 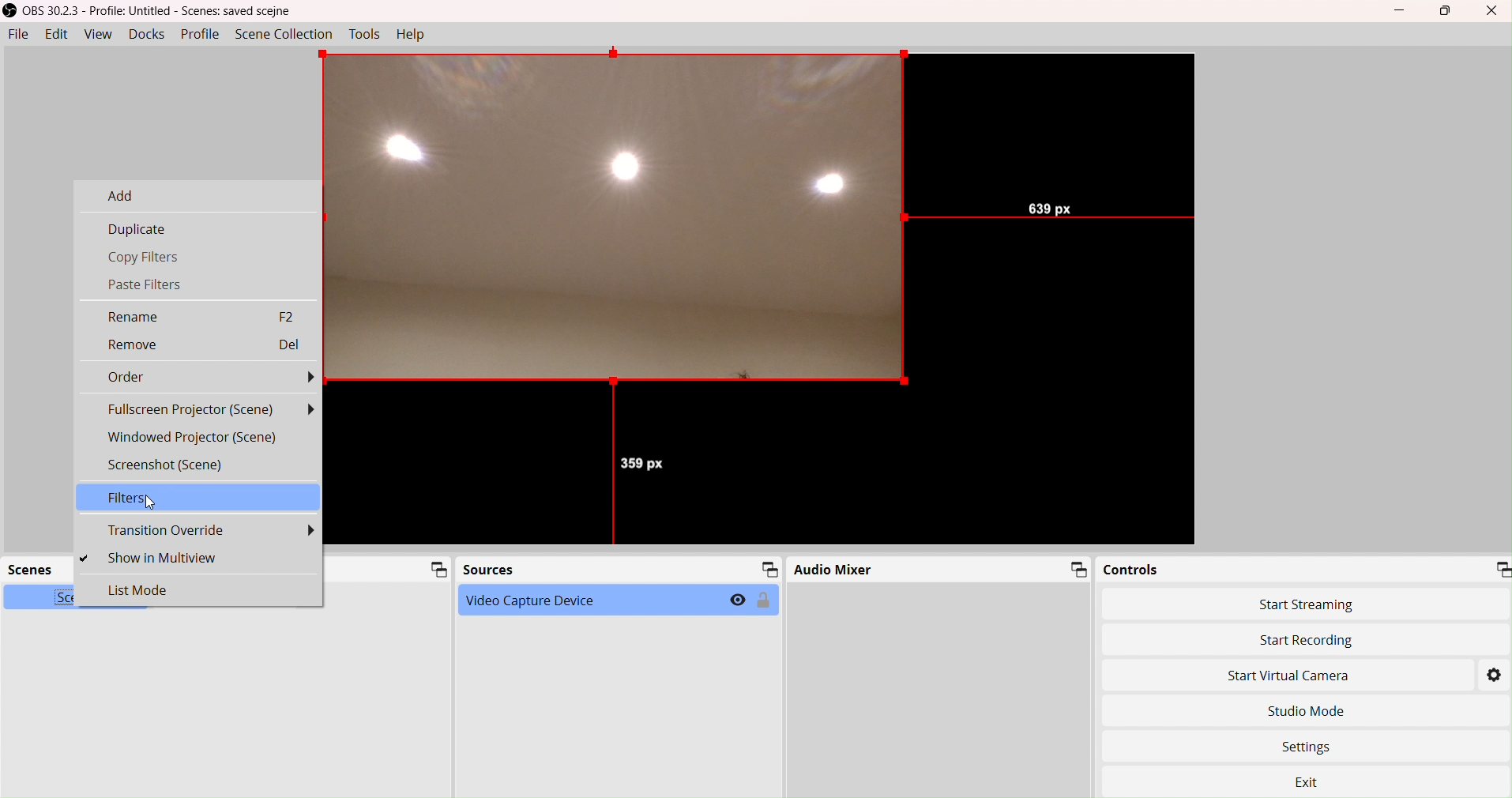 I want to click on Start Virtual Camera, so click(x=1299, y=675).